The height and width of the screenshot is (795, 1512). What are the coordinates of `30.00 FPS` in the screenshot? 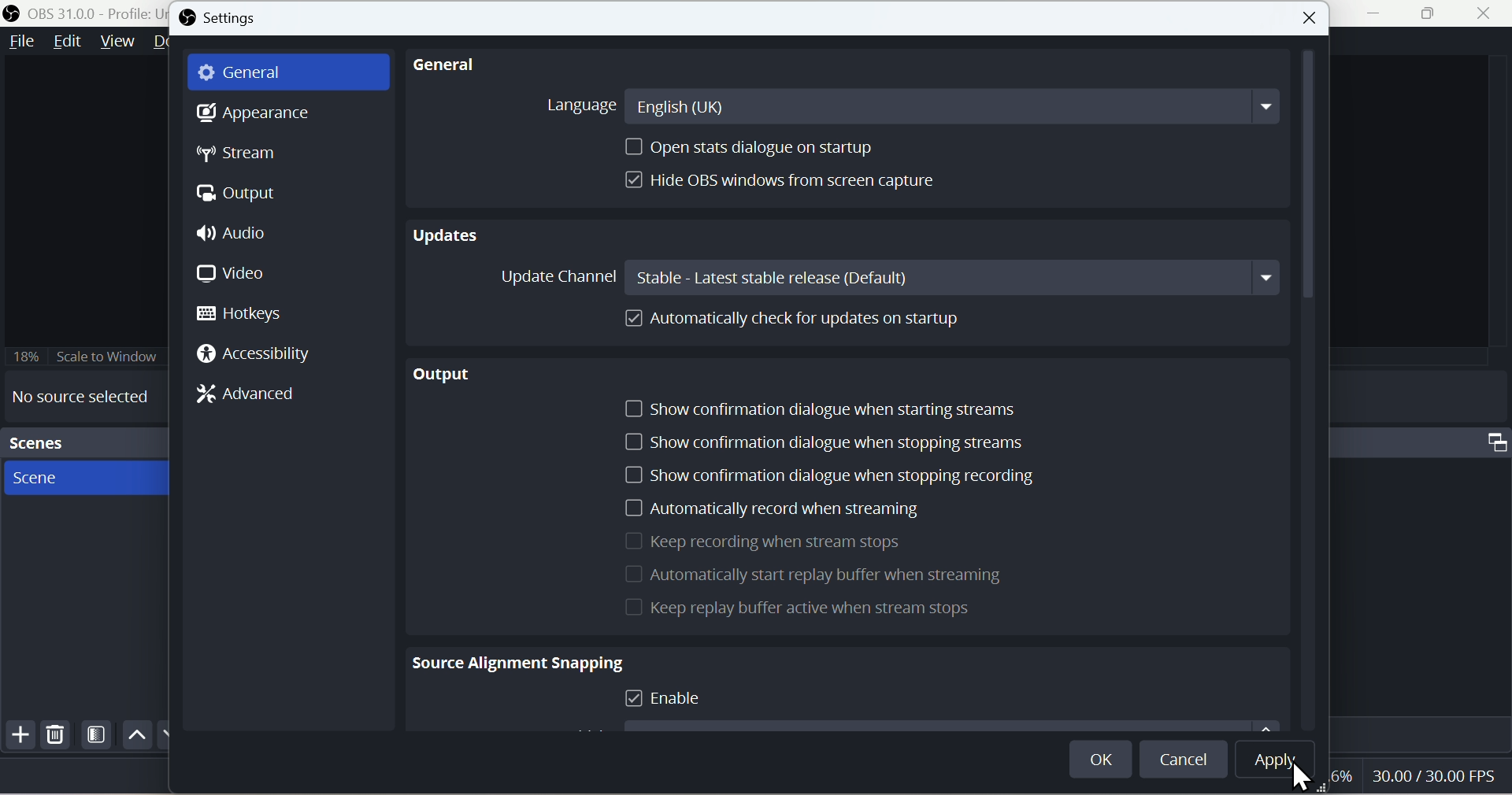 It's located at (1440, 776).